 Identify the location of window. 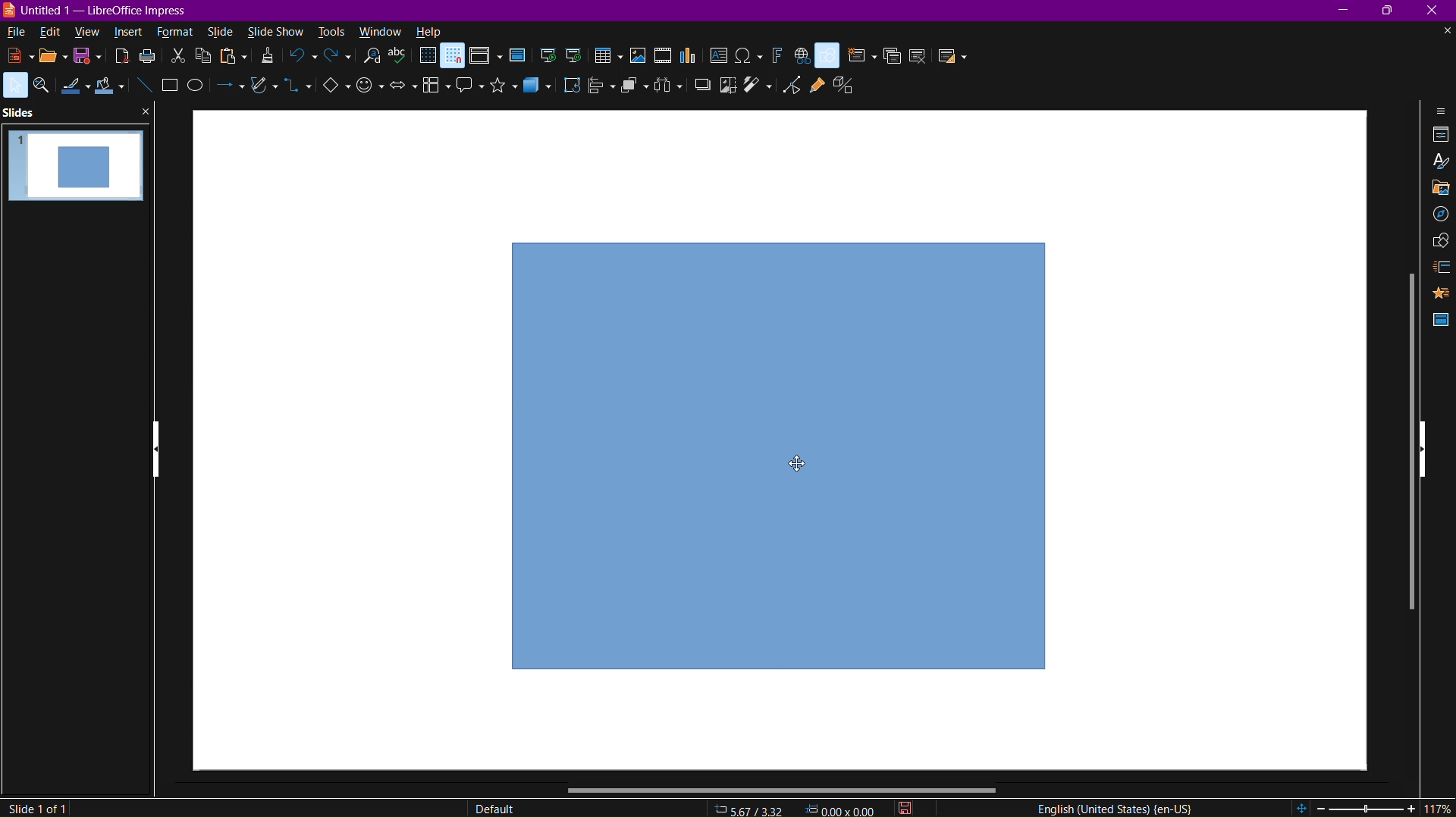
(379, 30).